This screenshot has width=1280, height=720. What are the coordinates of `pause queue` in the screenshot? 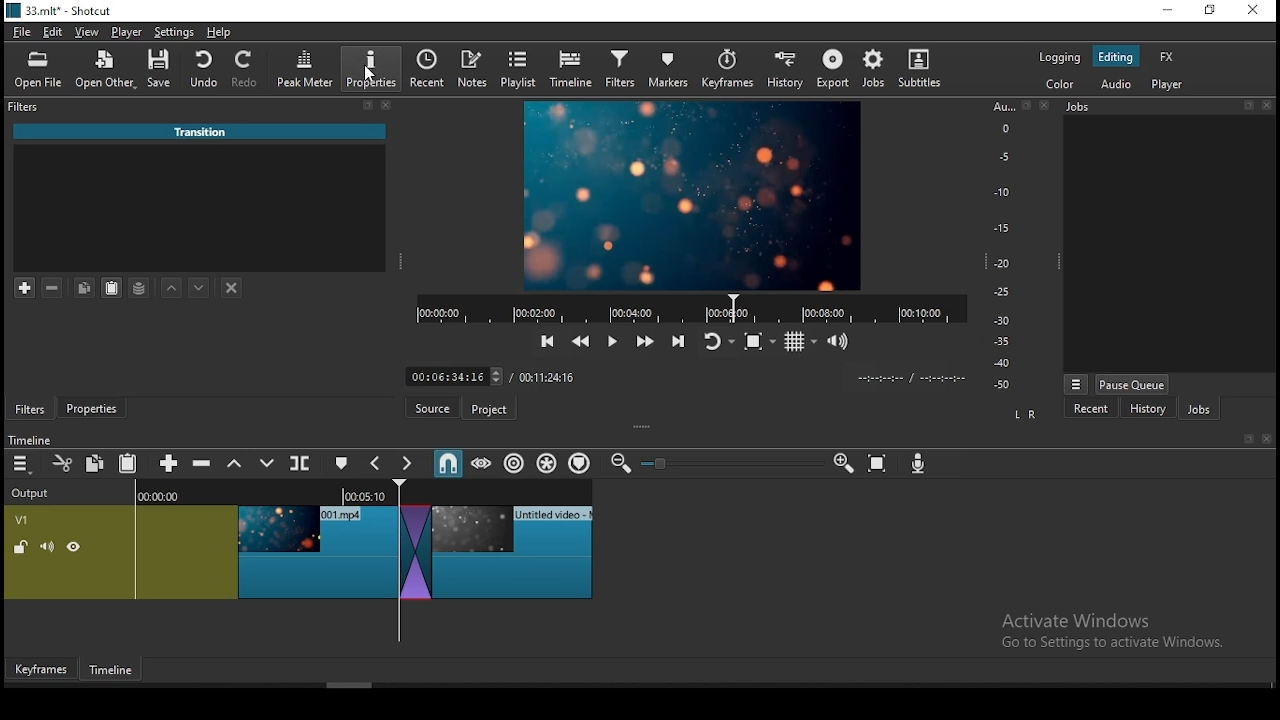 It's located at (1131, 384).